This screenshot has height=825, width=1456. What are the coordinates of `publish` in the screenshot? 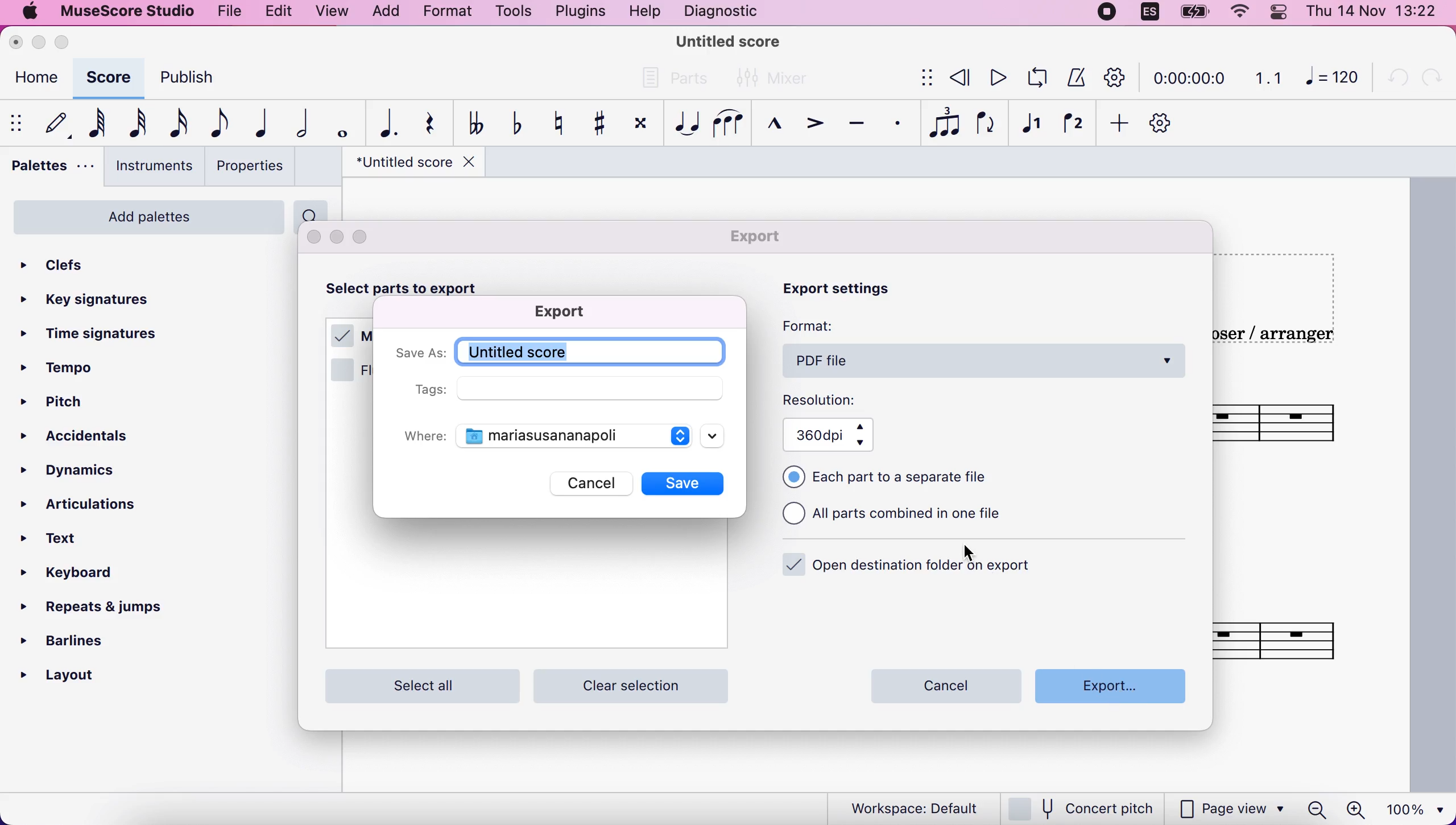 It's located at (192, 76).